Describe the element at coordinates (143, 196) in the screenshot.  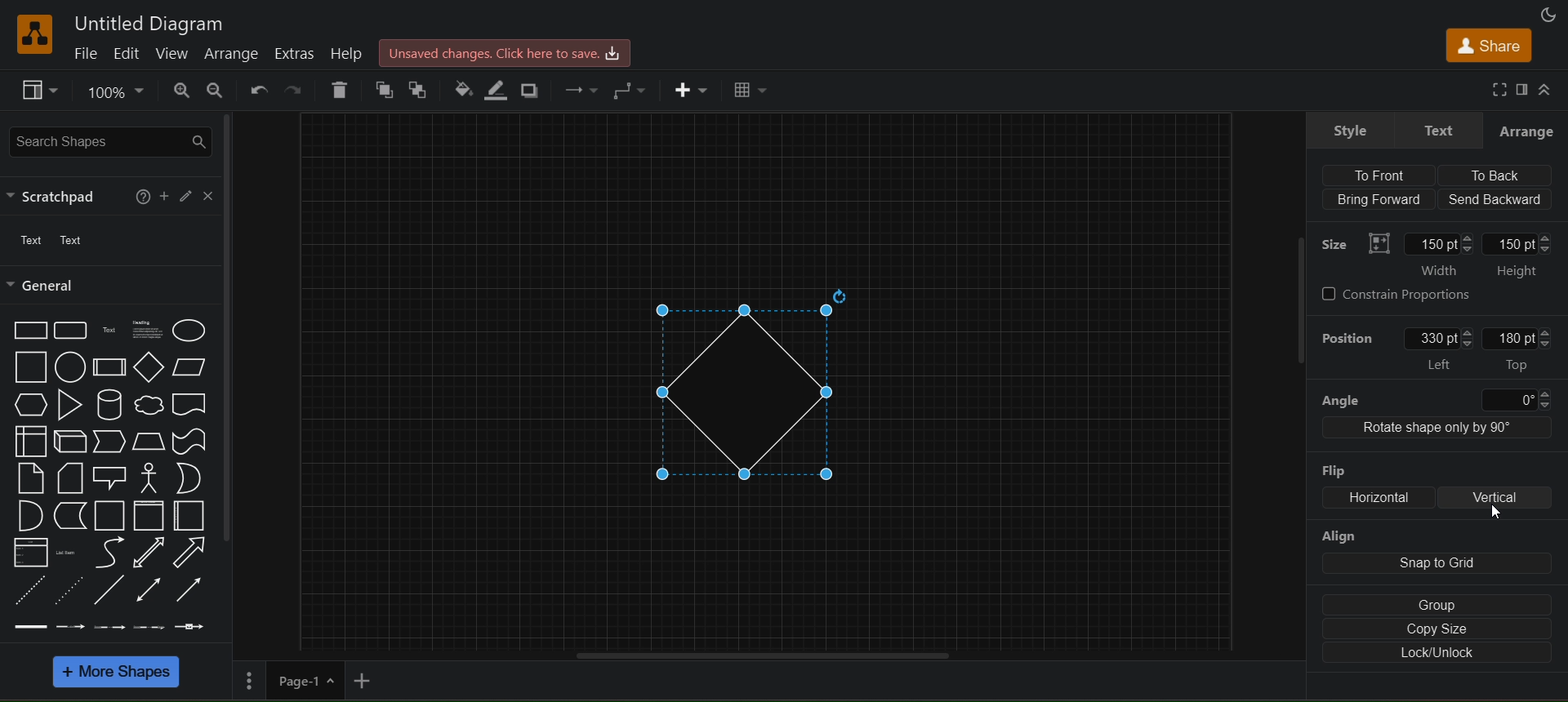
I see `help` at that location.